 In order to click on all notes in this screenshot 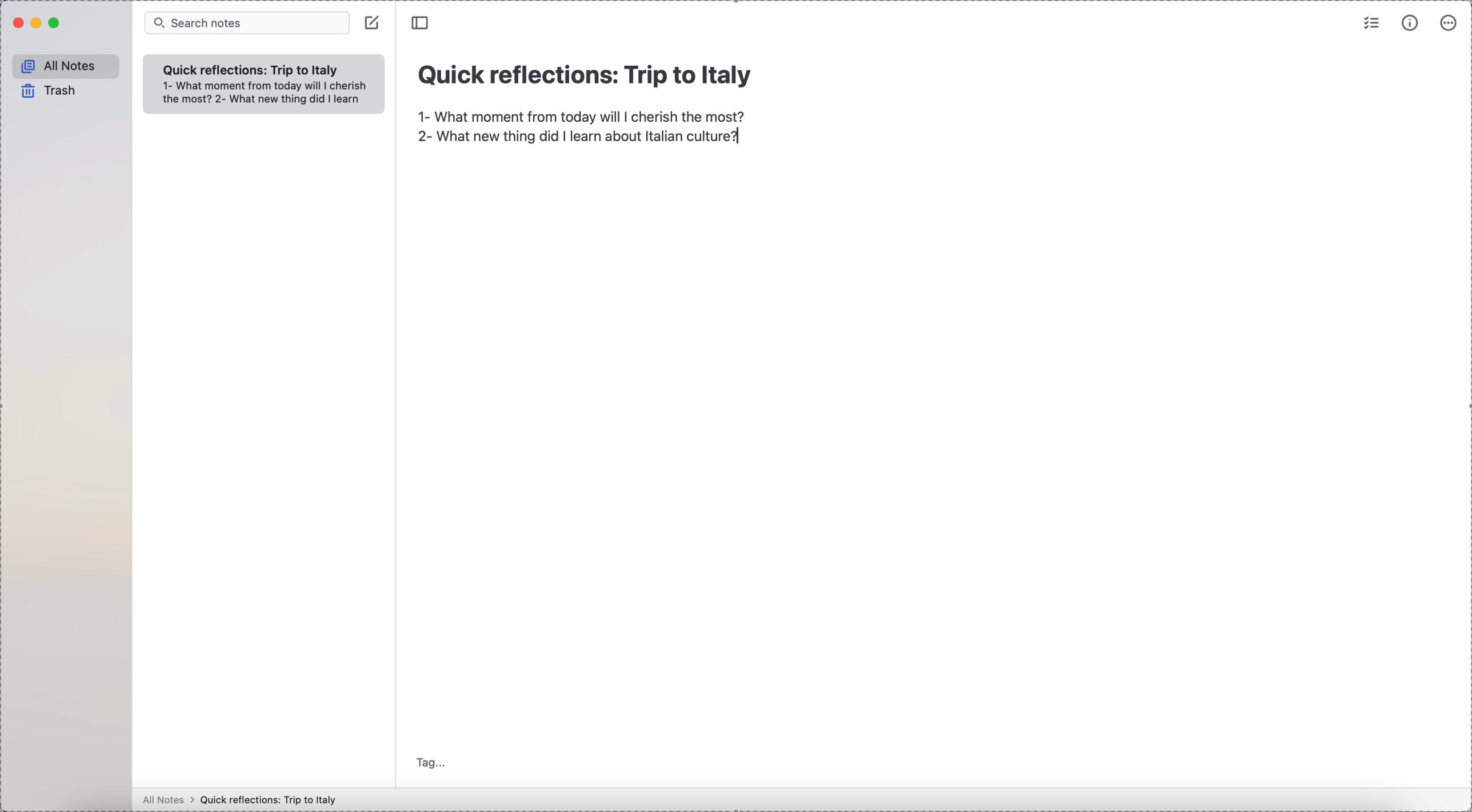, I will do `click(165, 801)`.